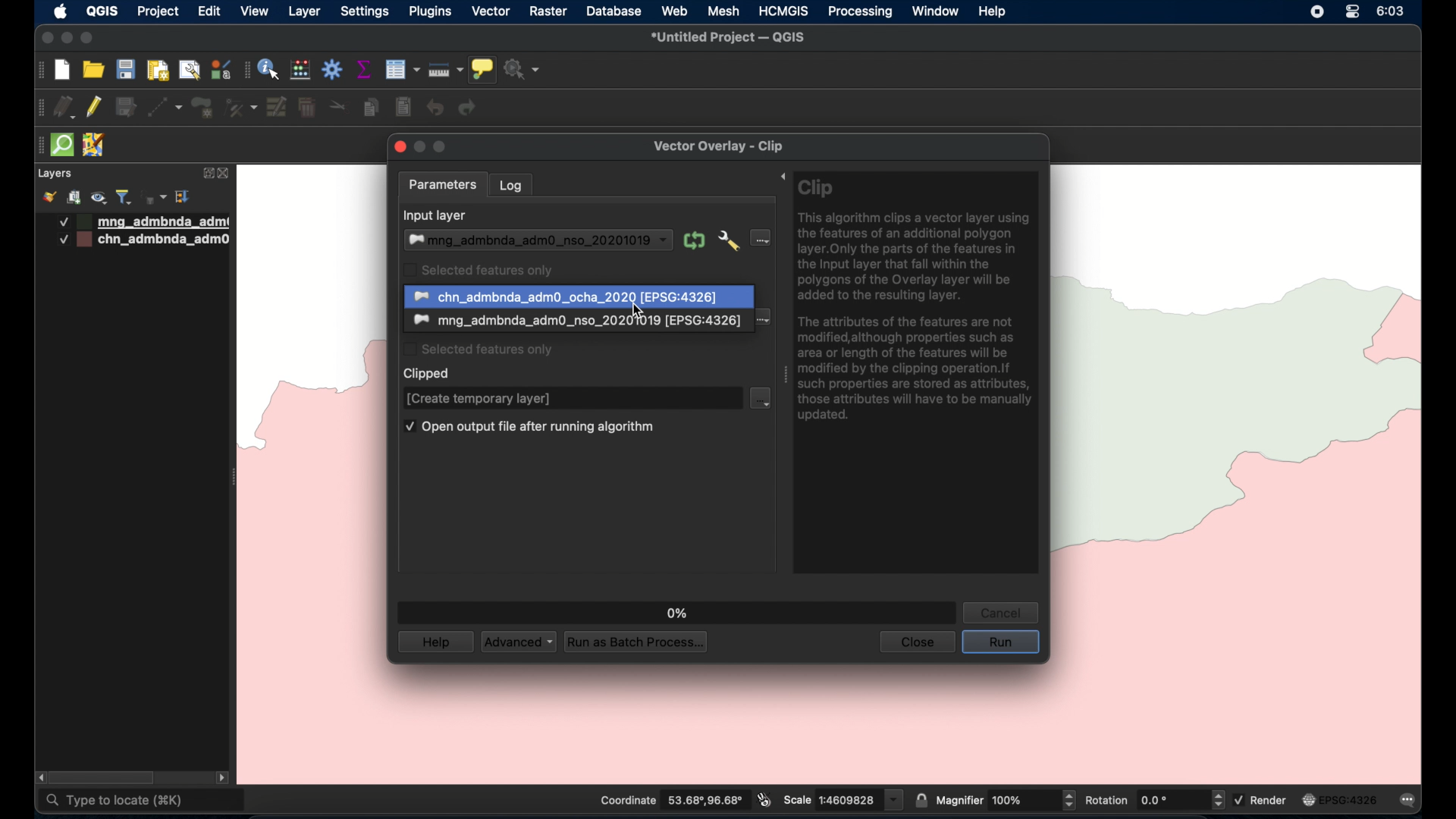 The width and height of the screenshot is (1456, 819). Describe the element at coordinates (61, 11) in the screenshot. I see `apple icon` at that location.